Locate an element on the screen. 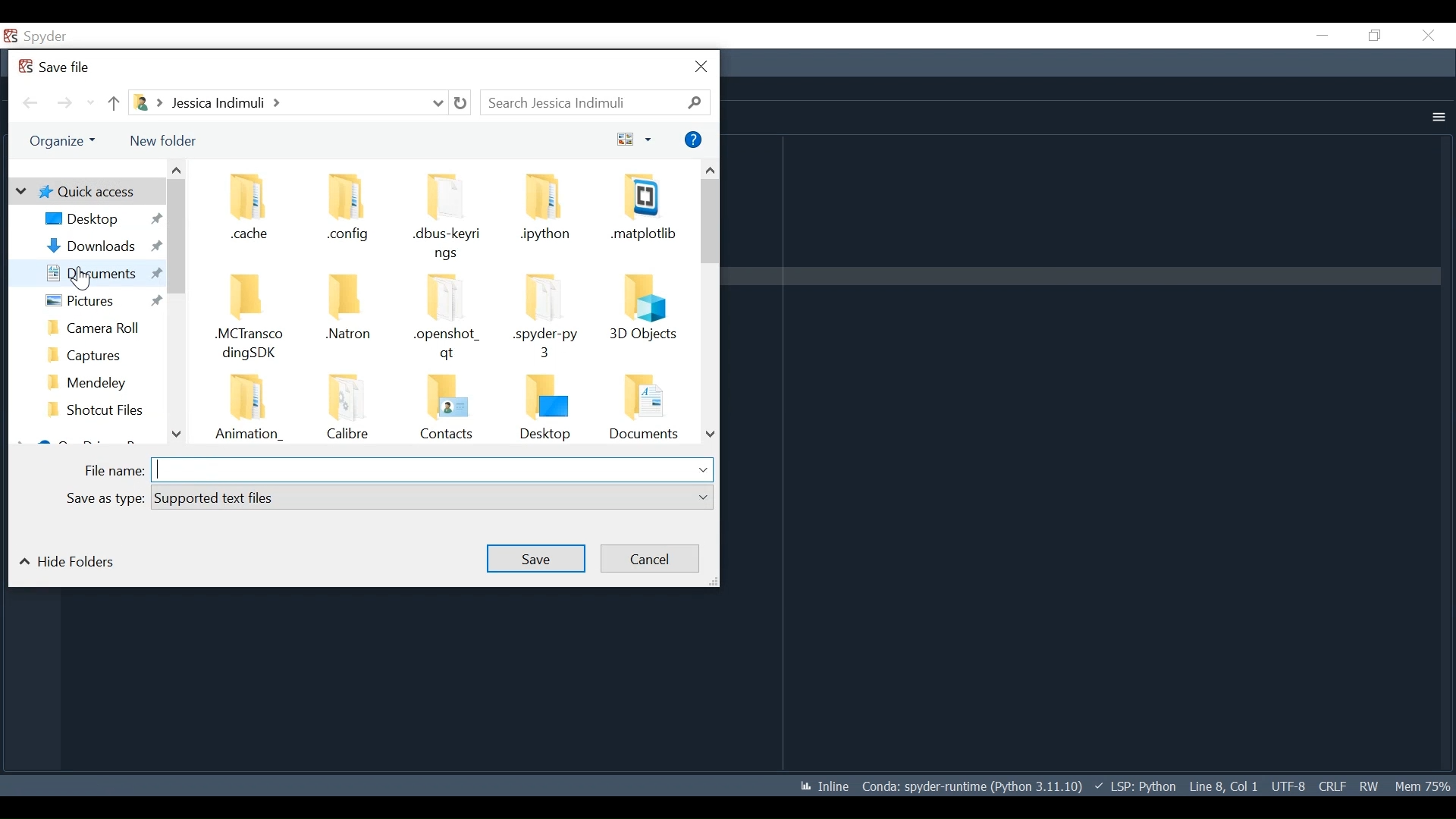  Documents is located at coordinates (97, 272).